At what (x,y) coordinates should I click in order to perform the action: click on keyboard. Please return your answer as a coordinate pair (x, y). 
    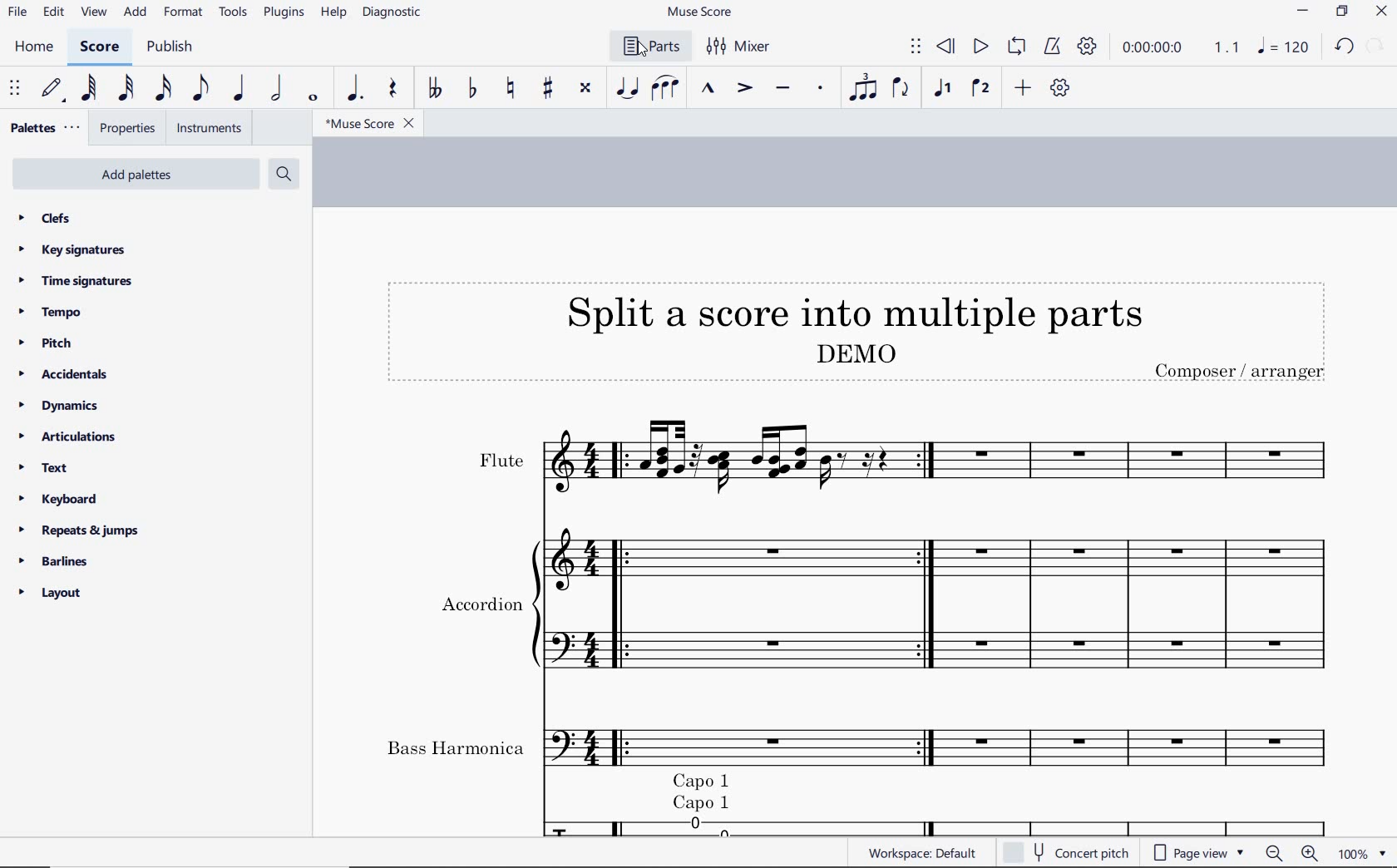
    Looking at the image, I should click on (60, 501).